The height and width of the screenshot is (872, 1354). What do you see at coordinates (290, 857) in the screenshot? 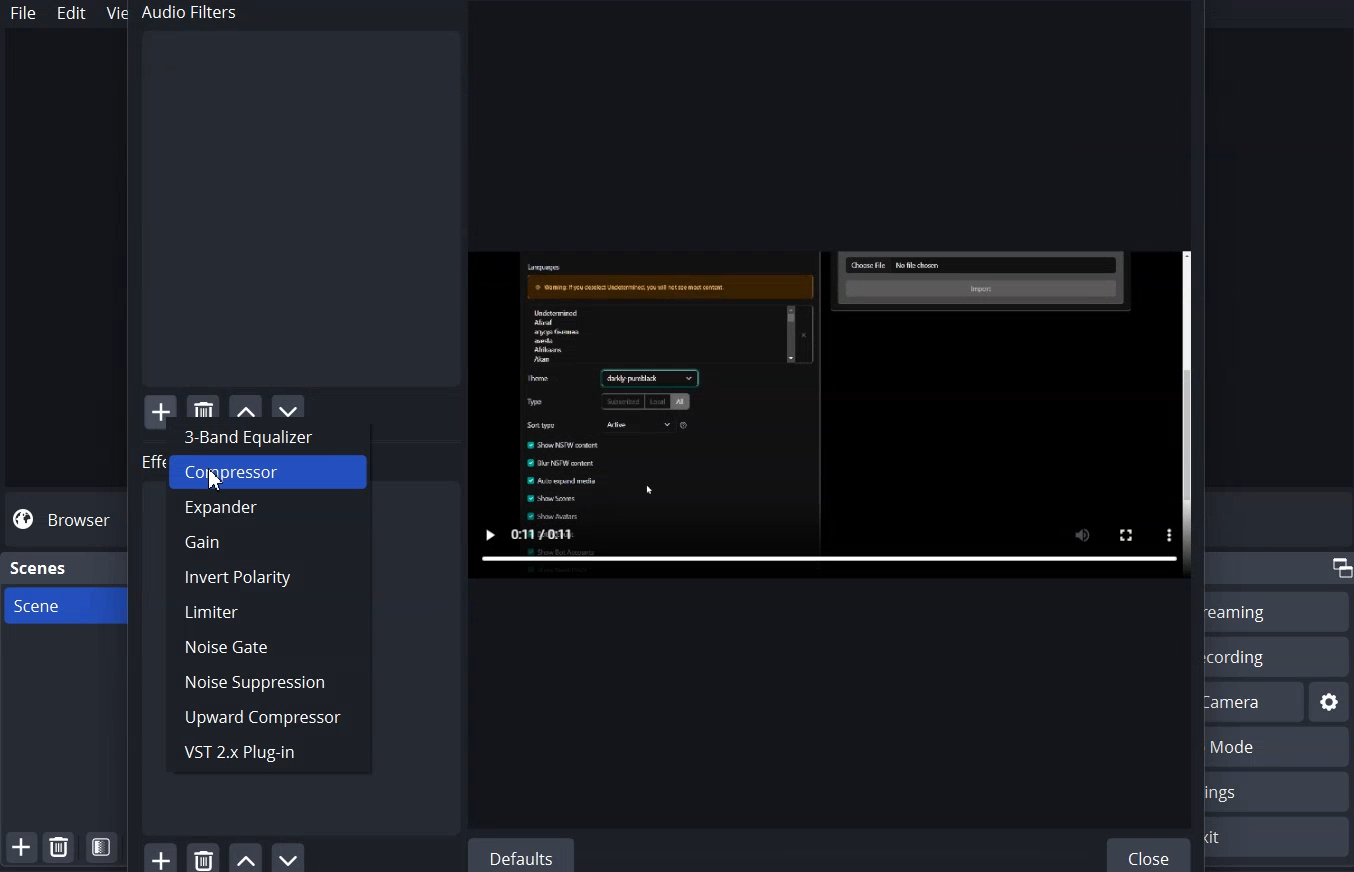
I see `Move Filter Down` at bounding box center [290, 857].